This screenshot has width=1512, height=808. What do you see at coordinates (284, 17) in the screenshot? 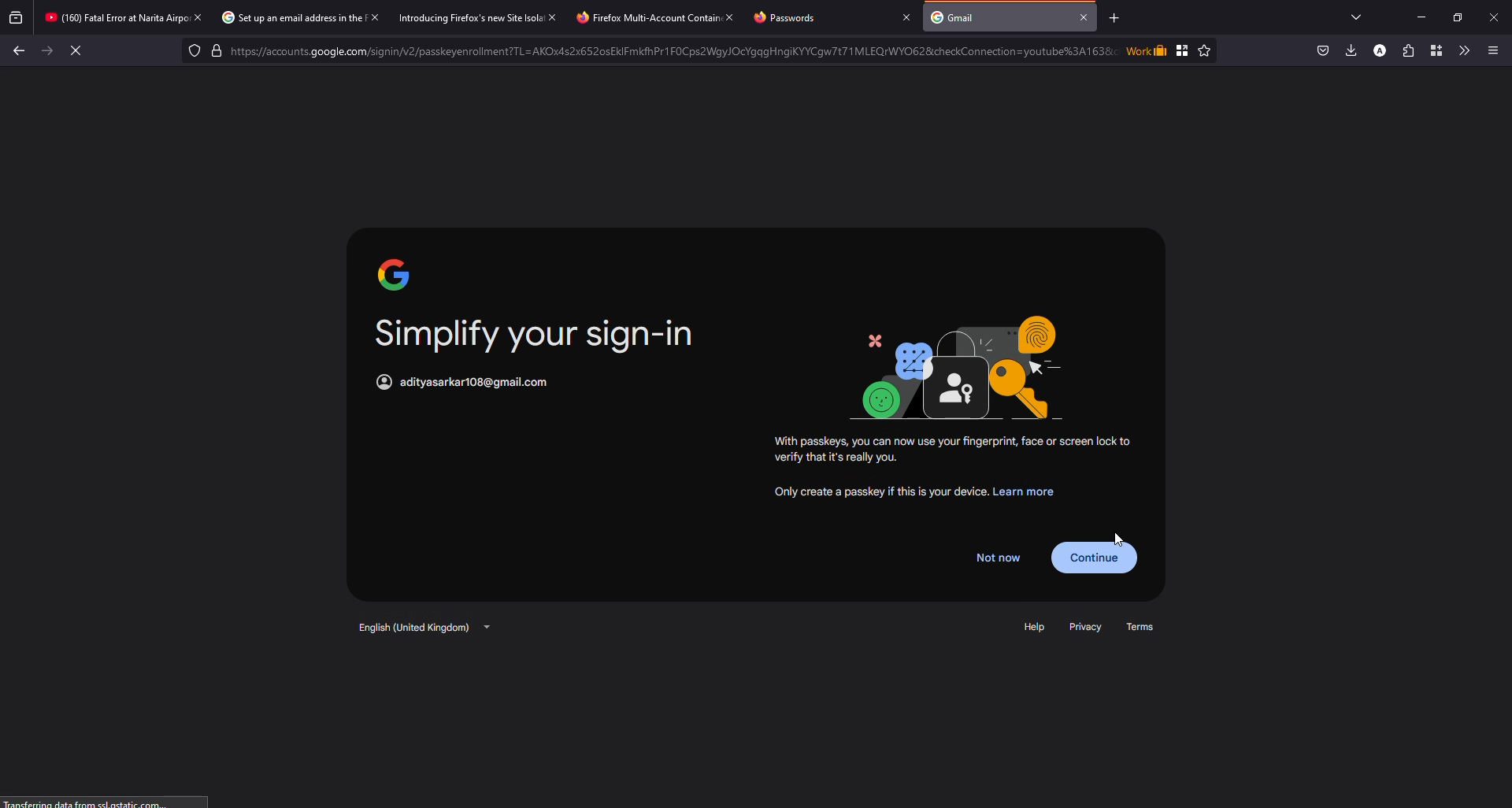
I see `Set up an email address in` at bounding box center [284, 17].